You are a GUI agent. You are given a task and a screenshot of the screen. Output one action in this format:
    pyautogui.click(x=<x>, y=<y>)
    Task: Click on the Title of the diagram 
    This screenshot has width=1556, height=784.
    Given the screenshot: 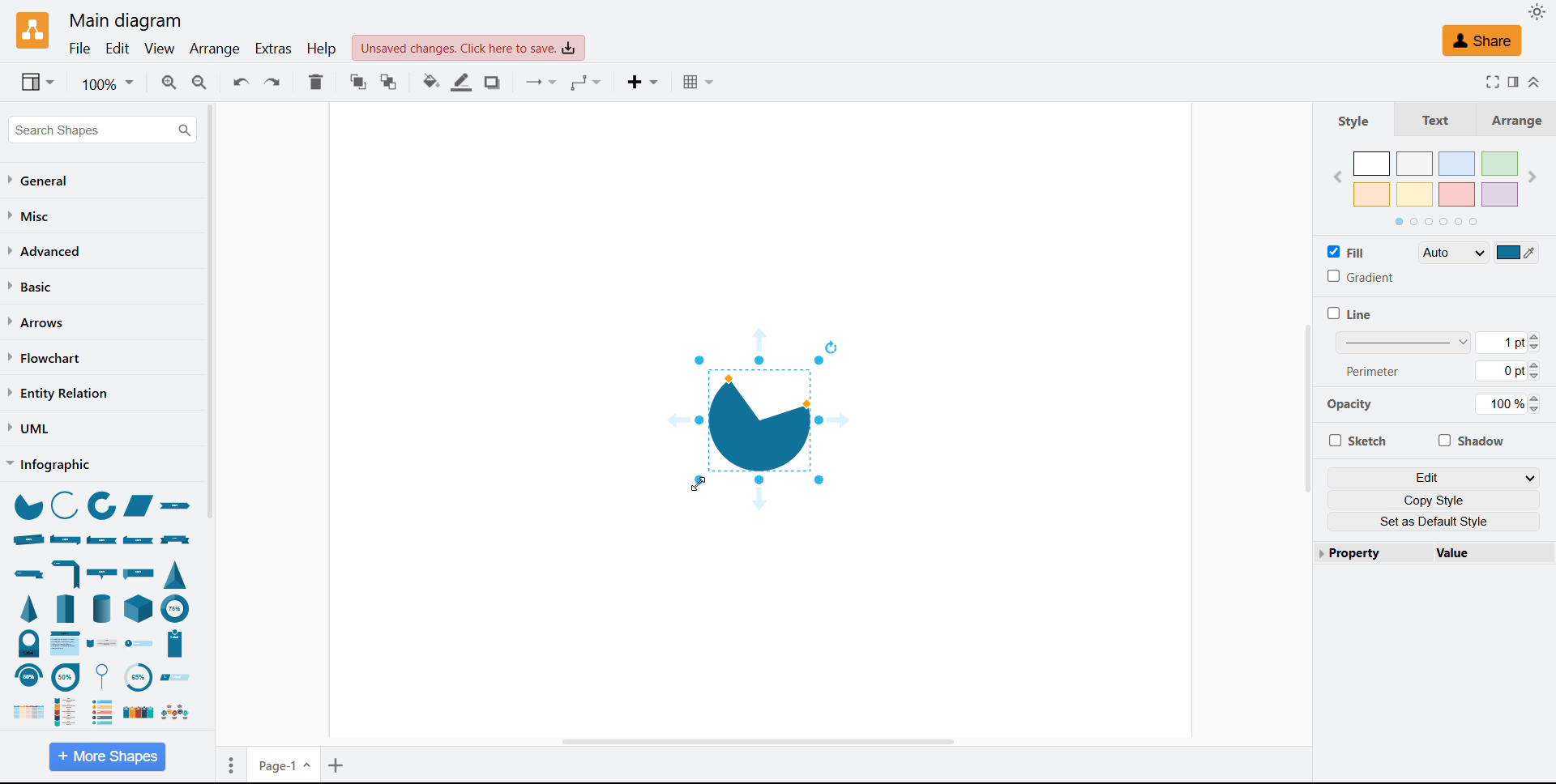 What is the action you would take?
    pyautogui.click(x=124, y=21)
    